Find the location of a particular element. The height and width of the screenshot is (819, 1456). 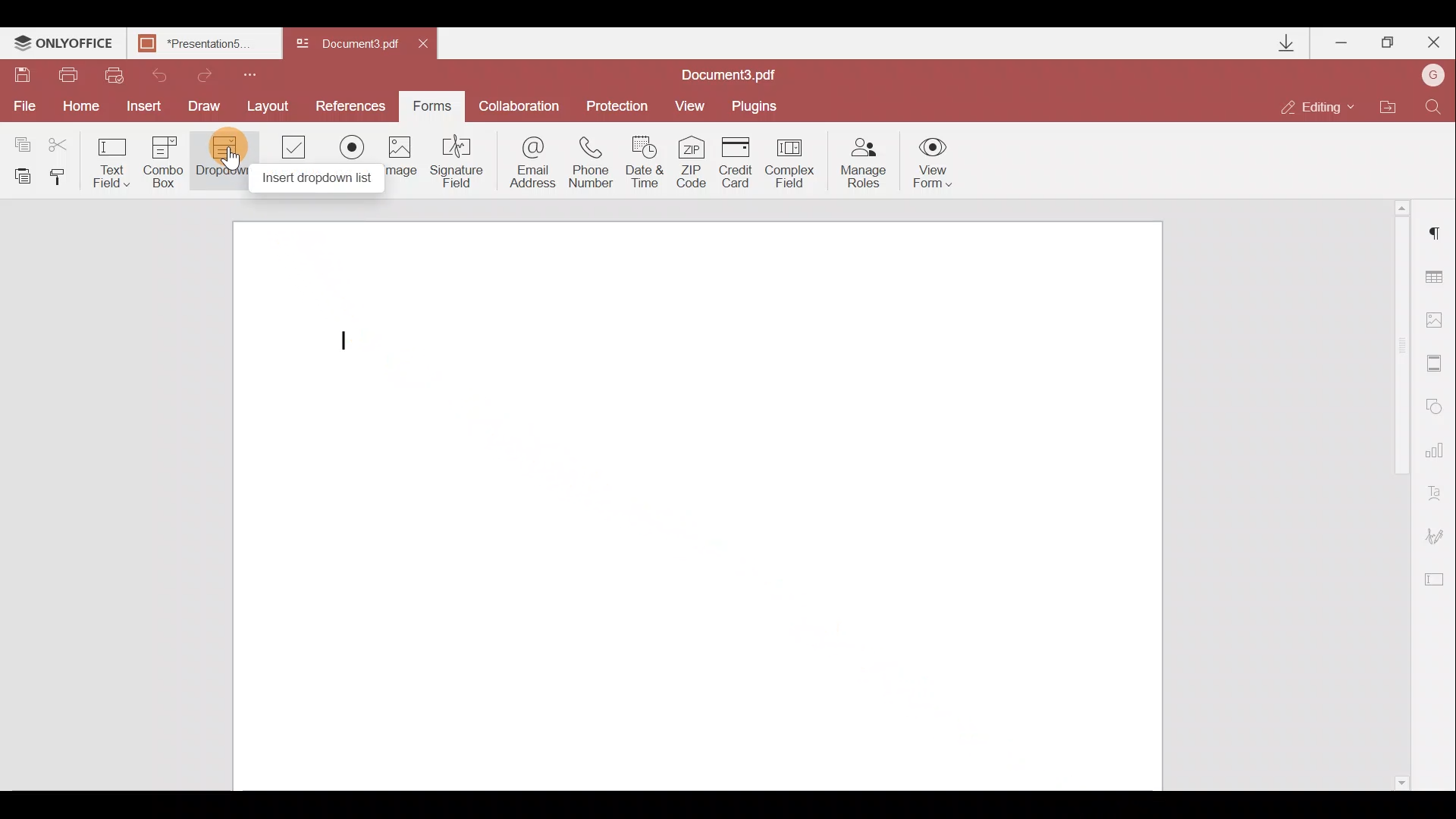

Close is located at coordinates (428, 41).